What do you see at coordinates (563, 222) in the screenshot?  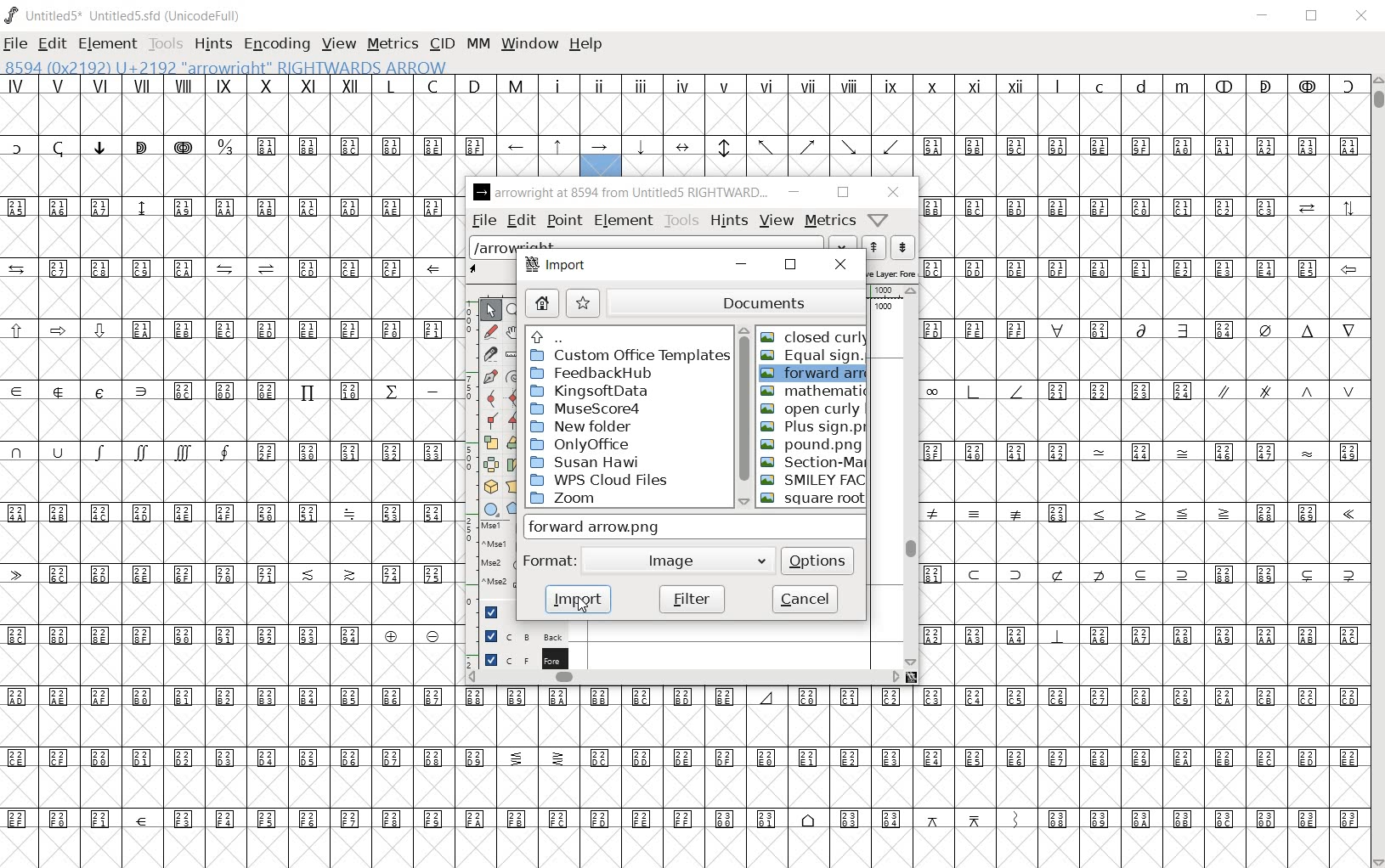 I see `point` at bounding box center [563, 222].